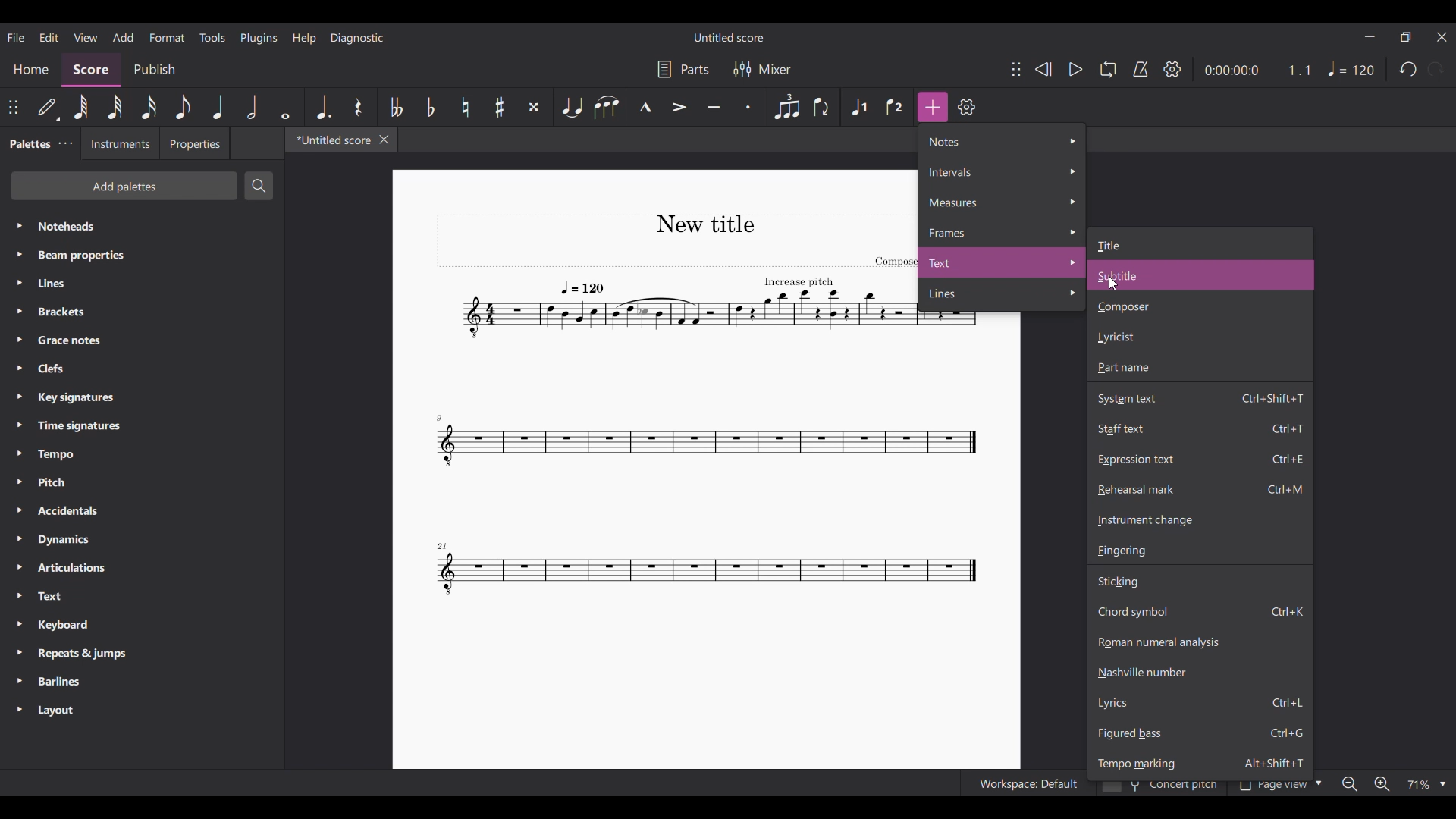 The image size is (1456, 819). What do you see at coordinates (142, 625) in the screenshot?
I see `Keyboard` at bounding box center [142, 625].